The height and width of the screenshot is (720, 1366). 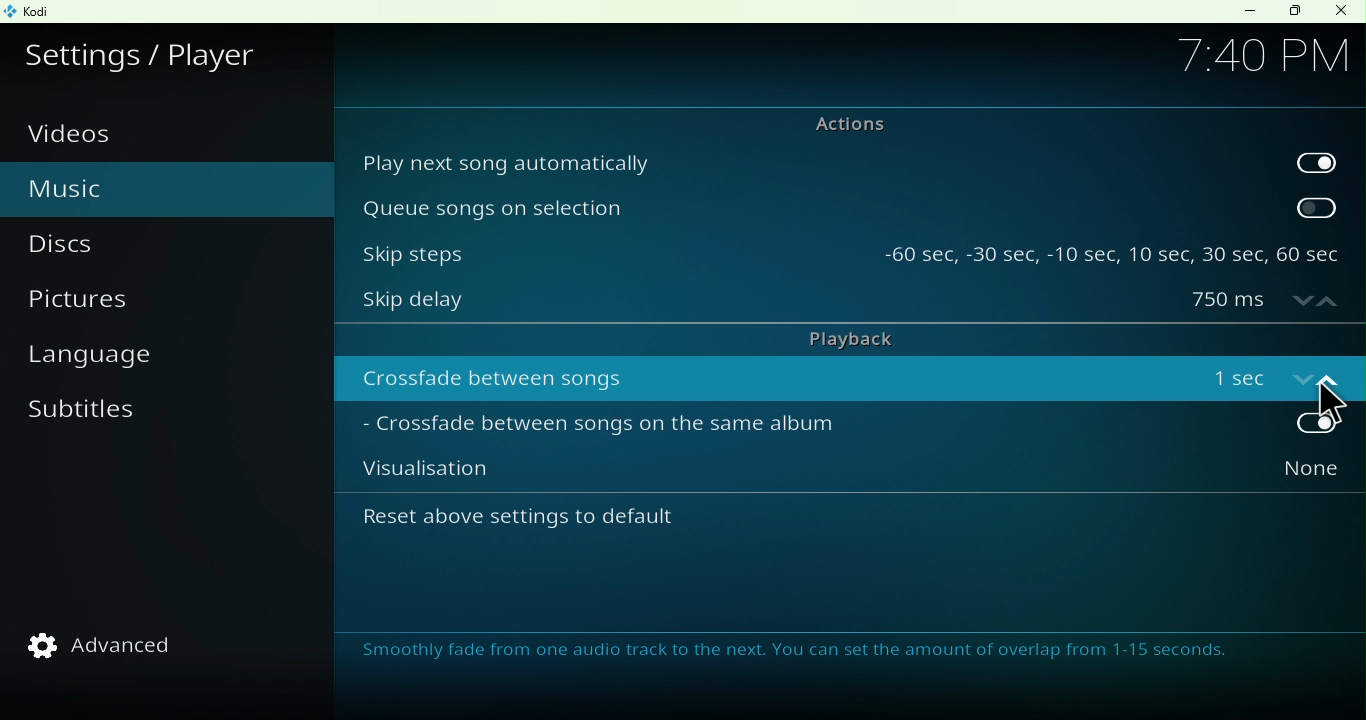 What do you see at coordinates (1340, 12) in the screenshot?
I see `Close` at bounding box center [1340, 12].